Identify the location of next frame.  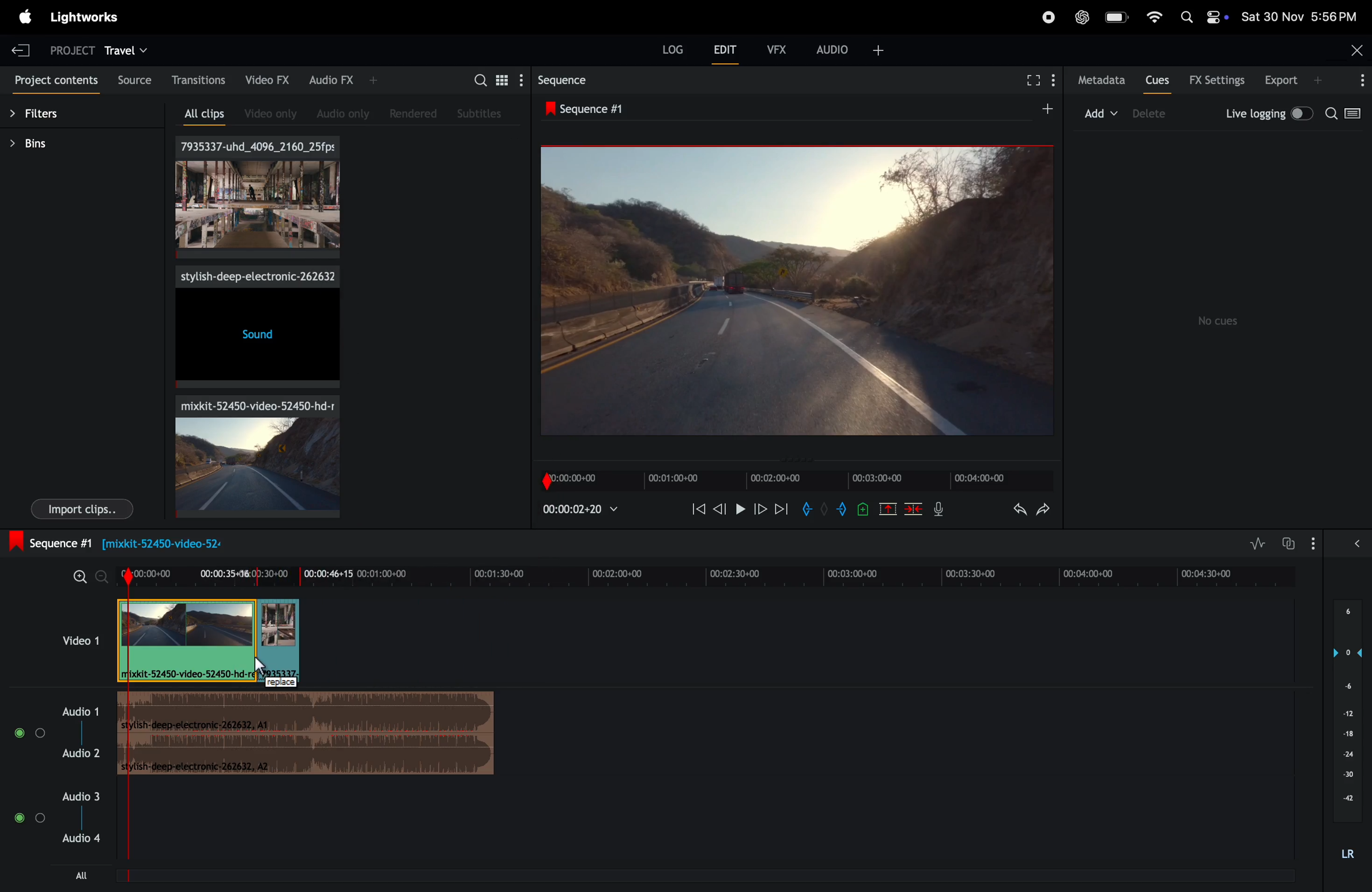
(761, 511).